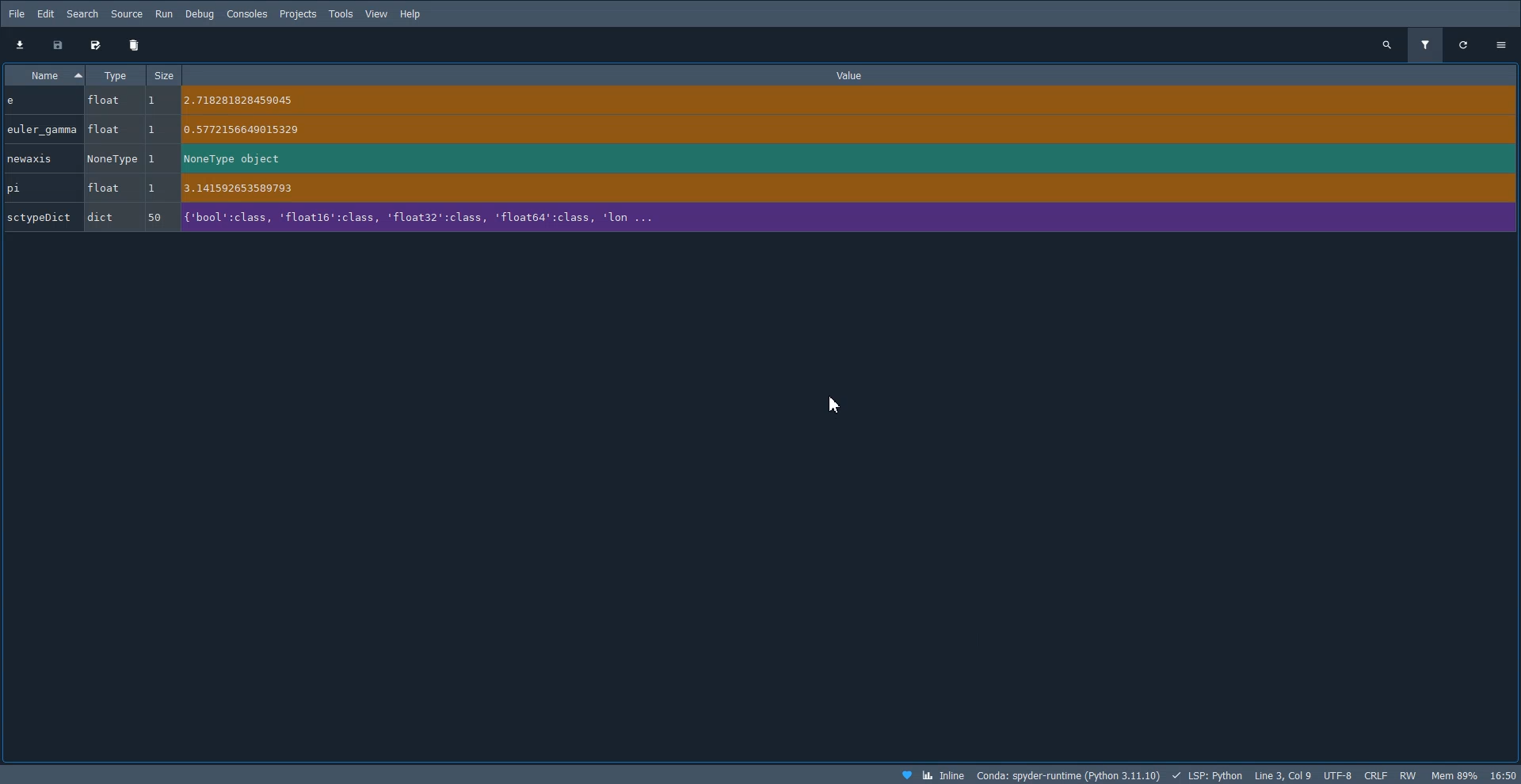 The width and height of the screenshot is (1521, 784). Describe the element at coordinates (82, 13) in the screenshot. I see `Search` at that location.